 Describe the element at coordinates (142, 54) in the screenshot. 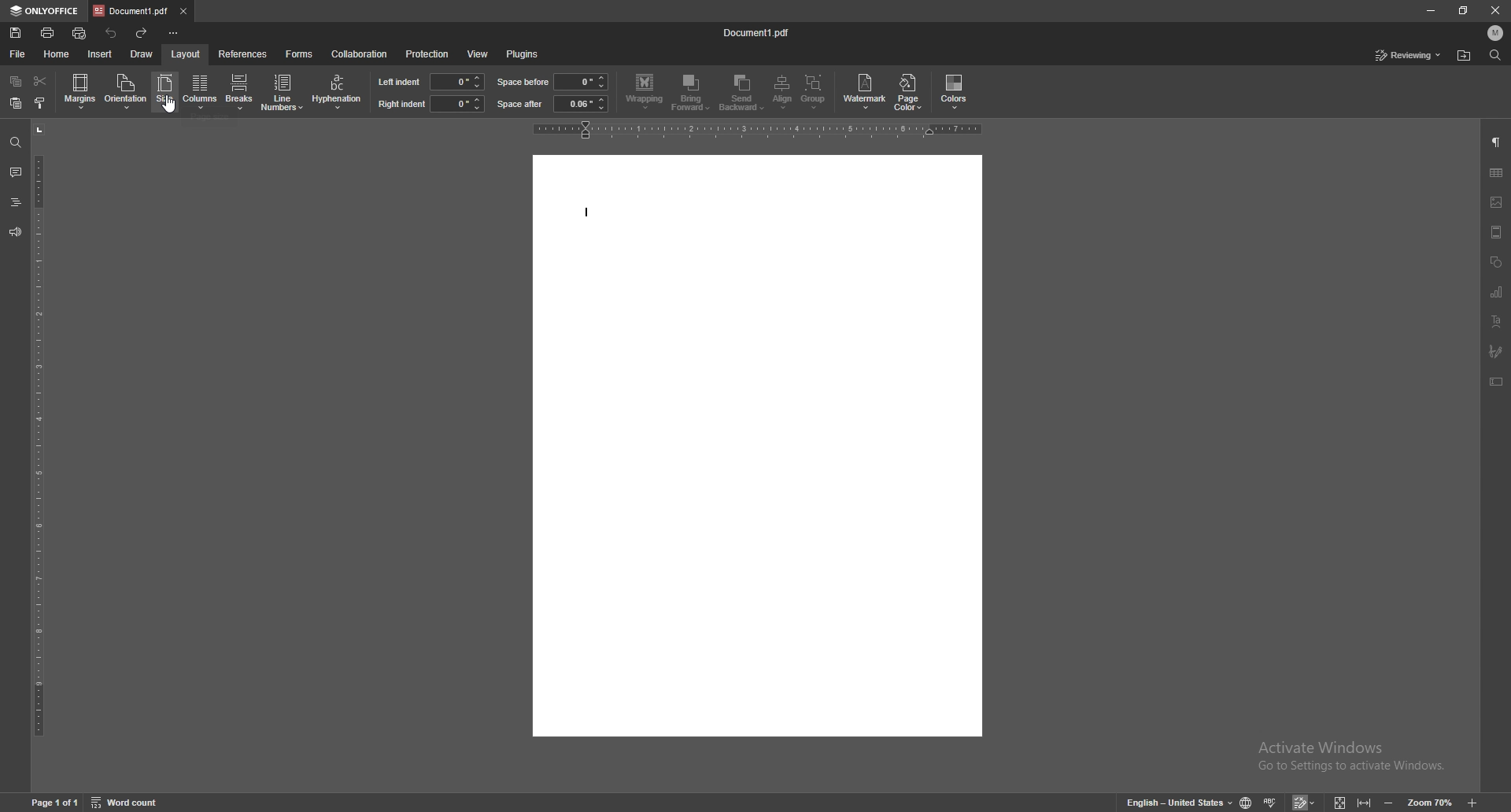

I see `draw` at that location.